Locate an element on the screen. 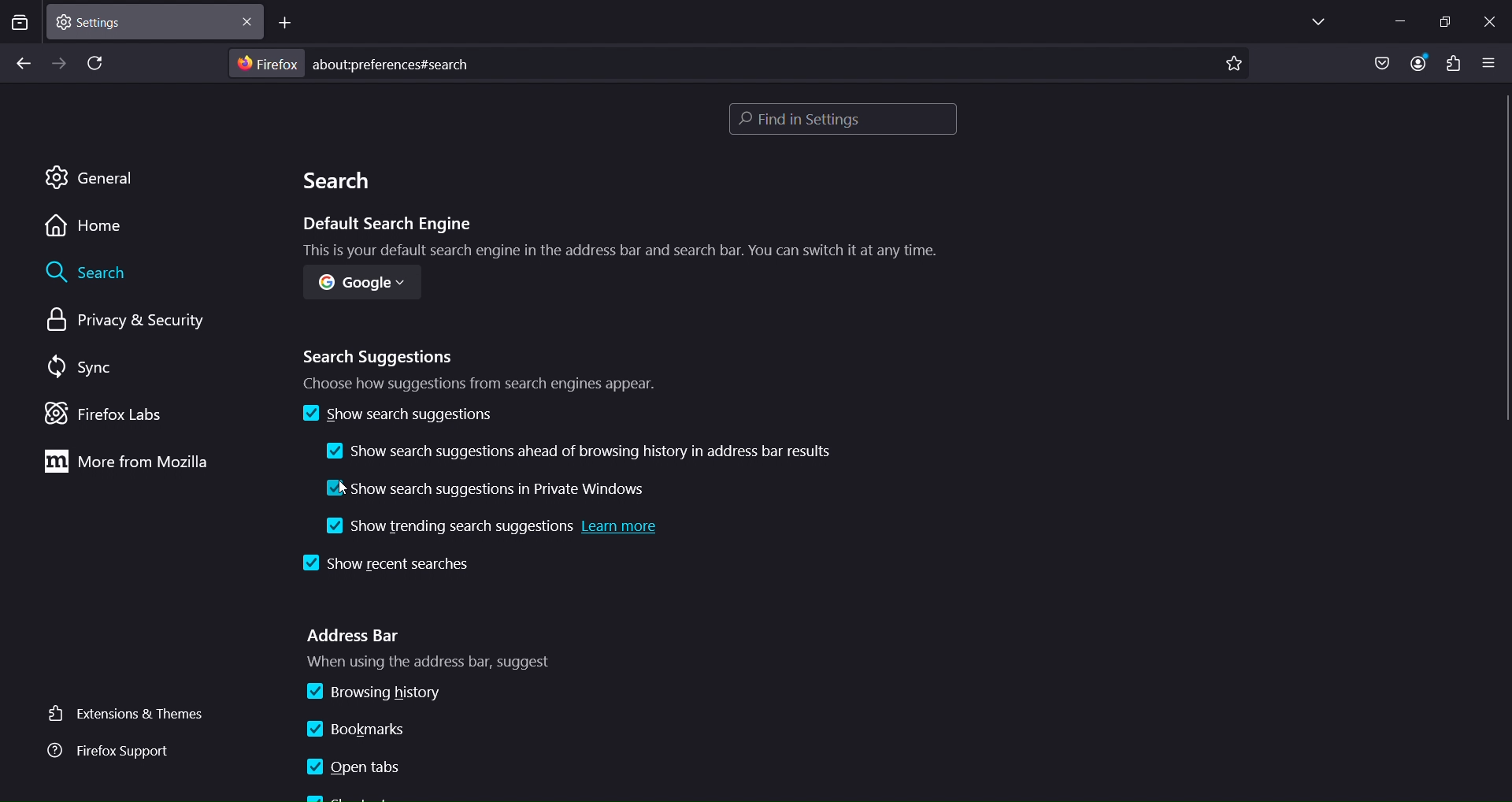 The image size is (1512, 802). close tab is located at coordinates (143, 20).